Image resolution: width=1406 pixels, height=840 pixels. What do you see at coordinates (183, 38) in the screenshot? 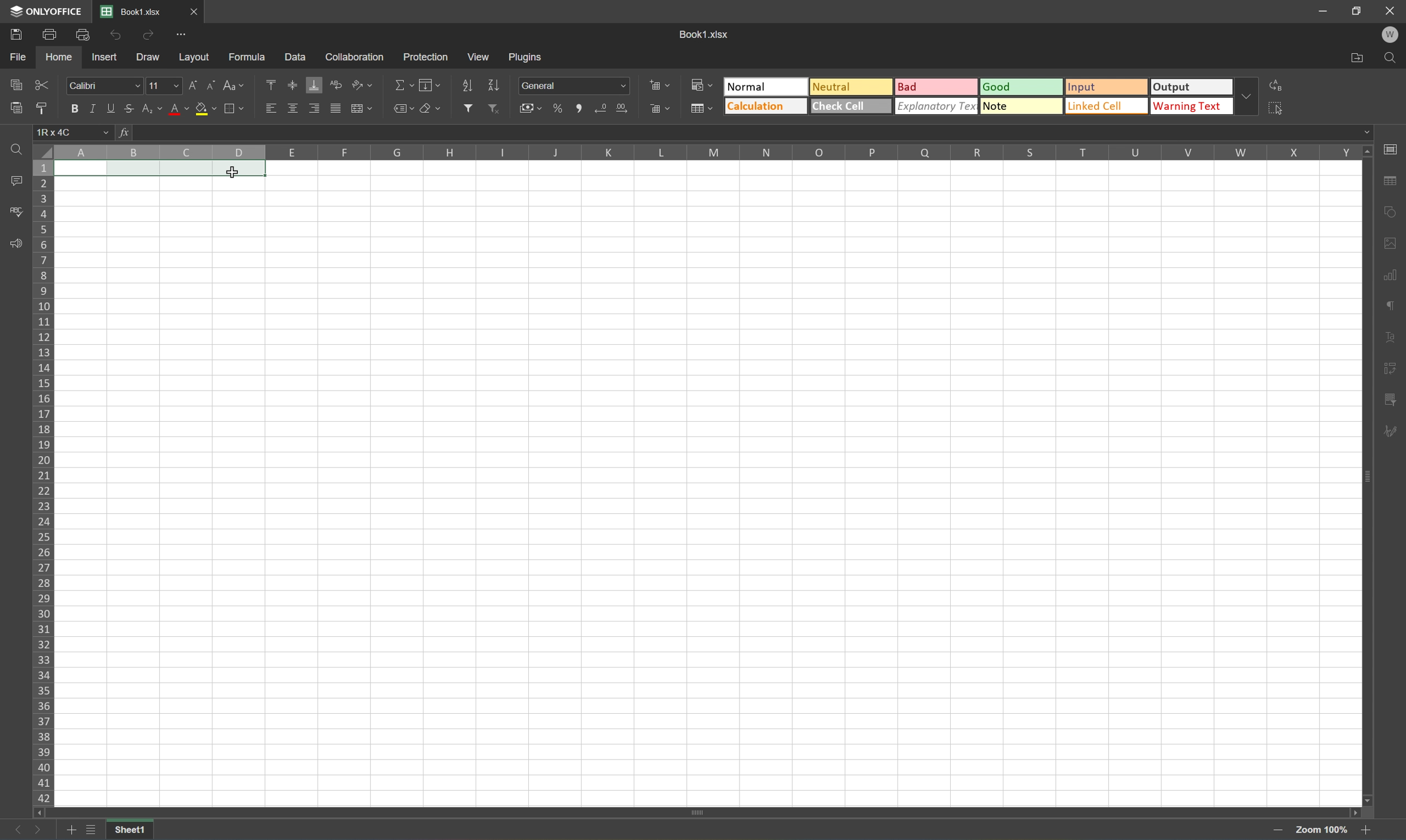
I see `Customize Quick Access Toolbar` at bounding box center [183, 38].